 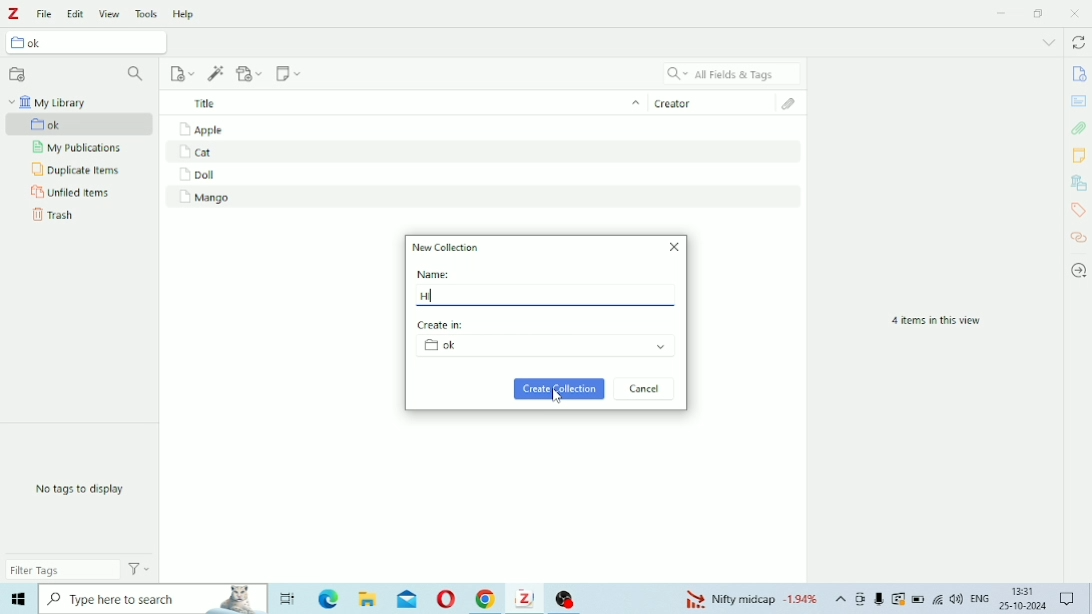 I want to click on Warning, so click(x=899, y=599).